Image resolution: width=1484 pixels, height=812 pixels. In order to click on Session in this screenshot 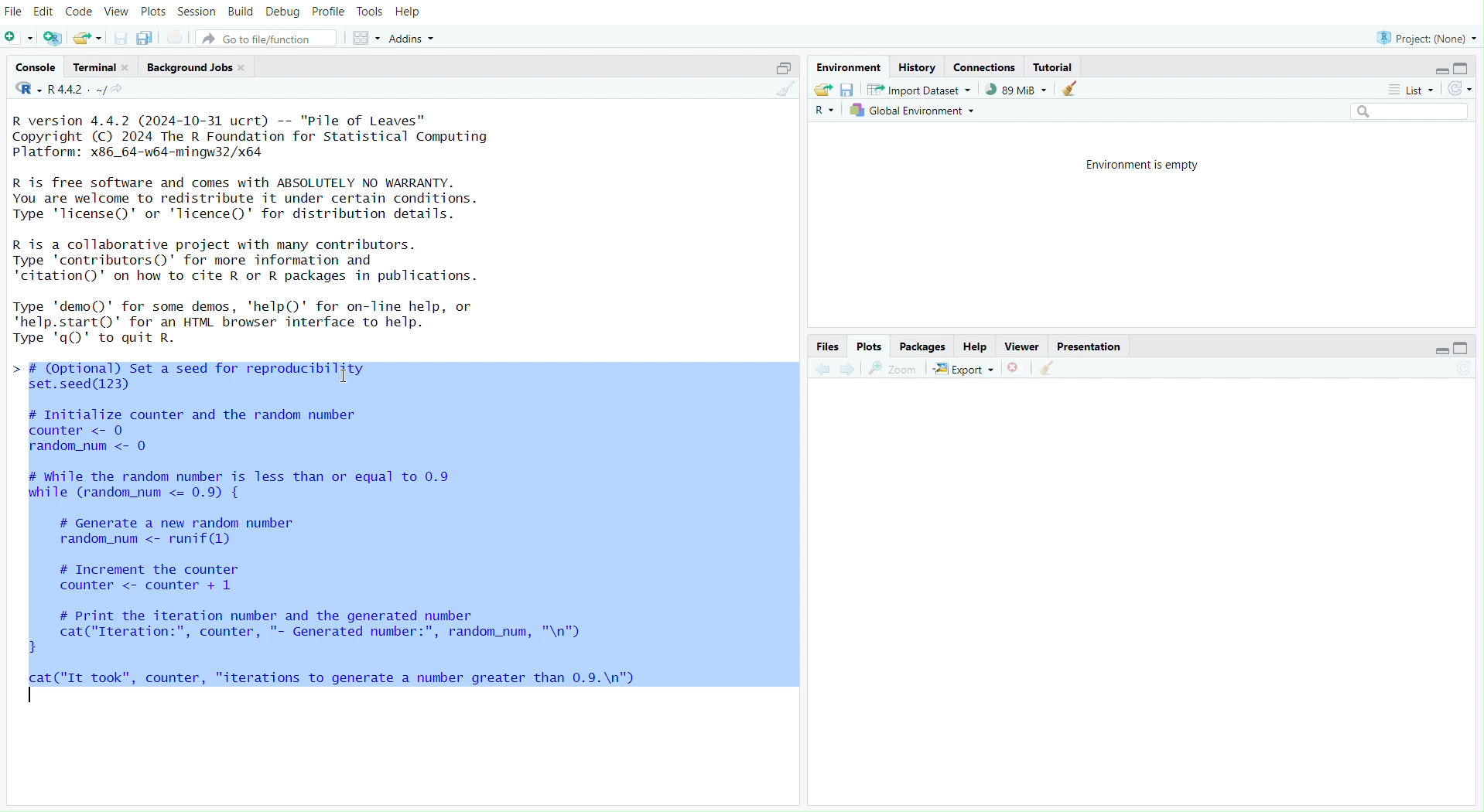, I will do `click(195, 12)`.